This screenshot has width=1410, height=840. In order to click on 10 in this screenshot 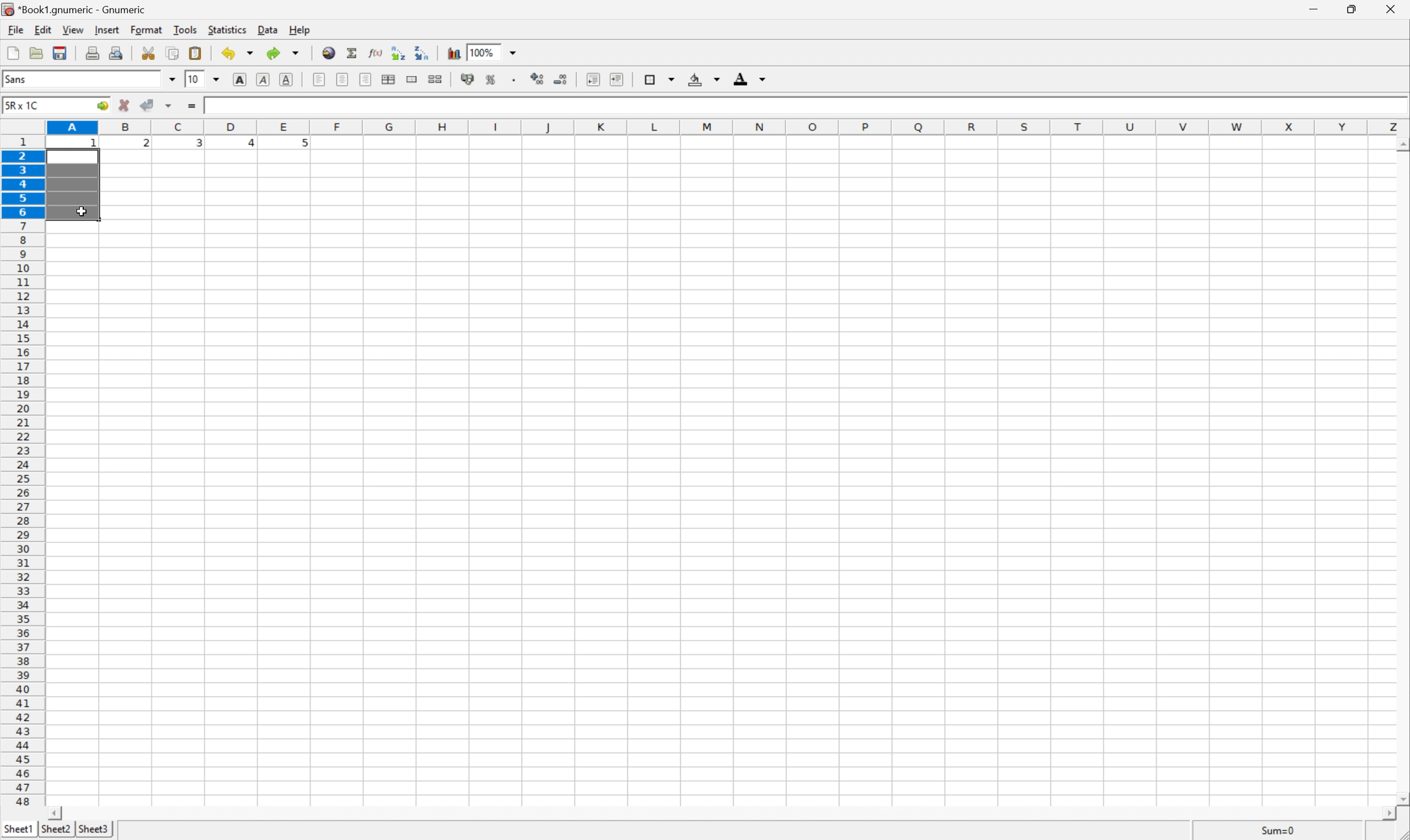, I will do `click(194, 80)`.